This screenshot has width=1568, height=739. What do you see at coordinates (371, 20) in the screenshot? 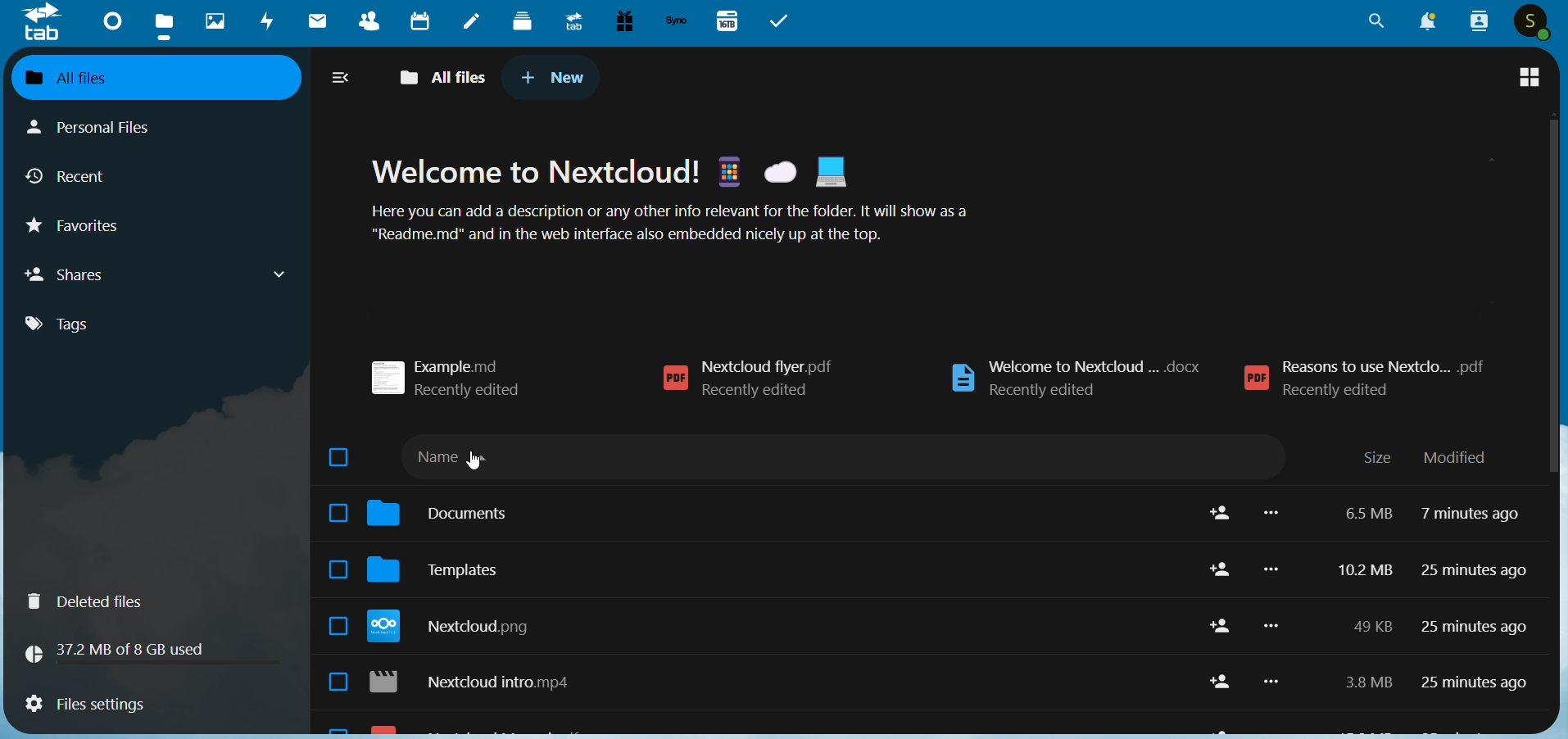
I see `Contacts` at bounding box center [371, 20].